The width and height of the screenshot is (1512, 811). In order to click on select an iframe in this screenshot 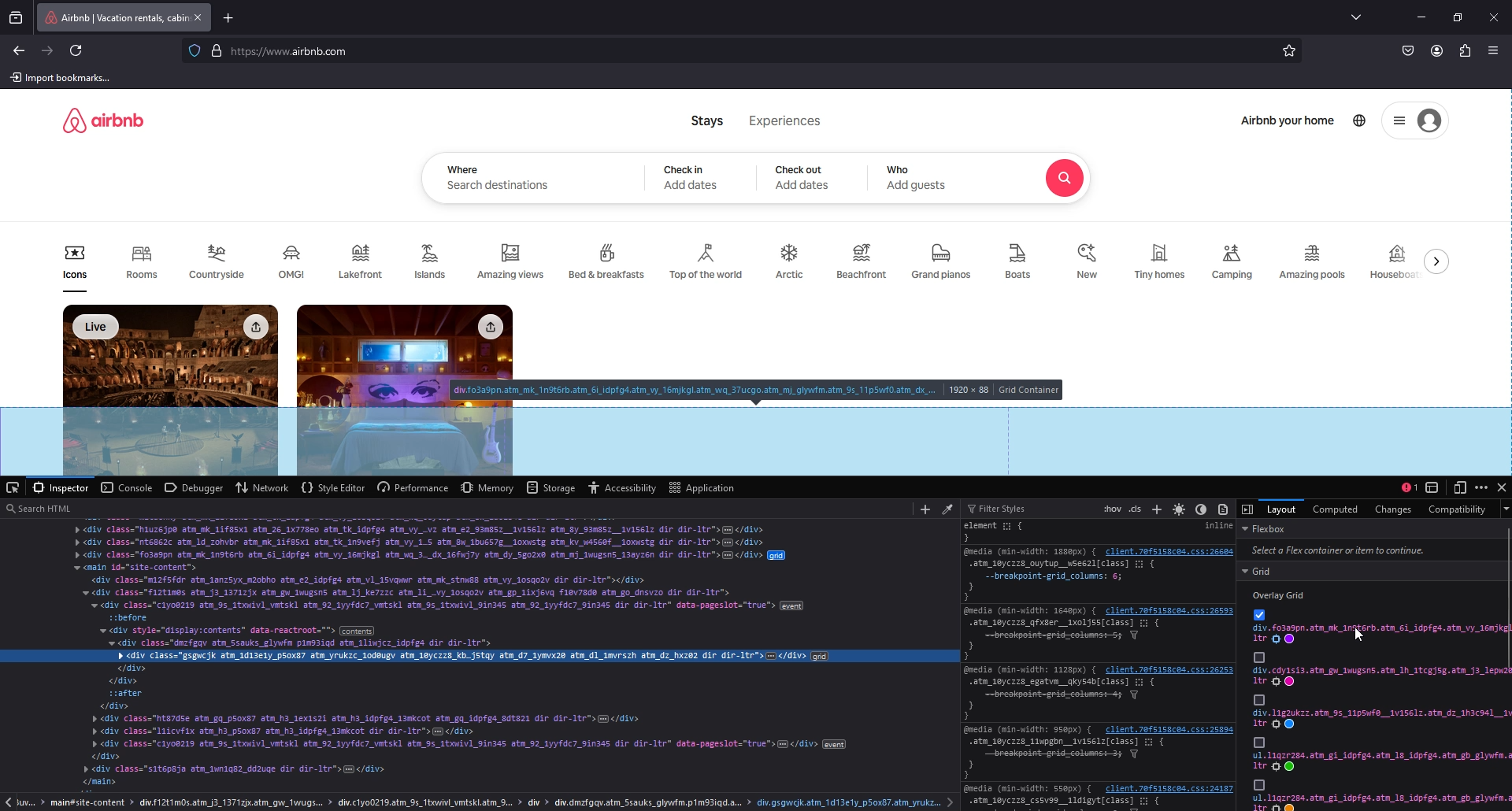, I will do `click(1432, 487)`.